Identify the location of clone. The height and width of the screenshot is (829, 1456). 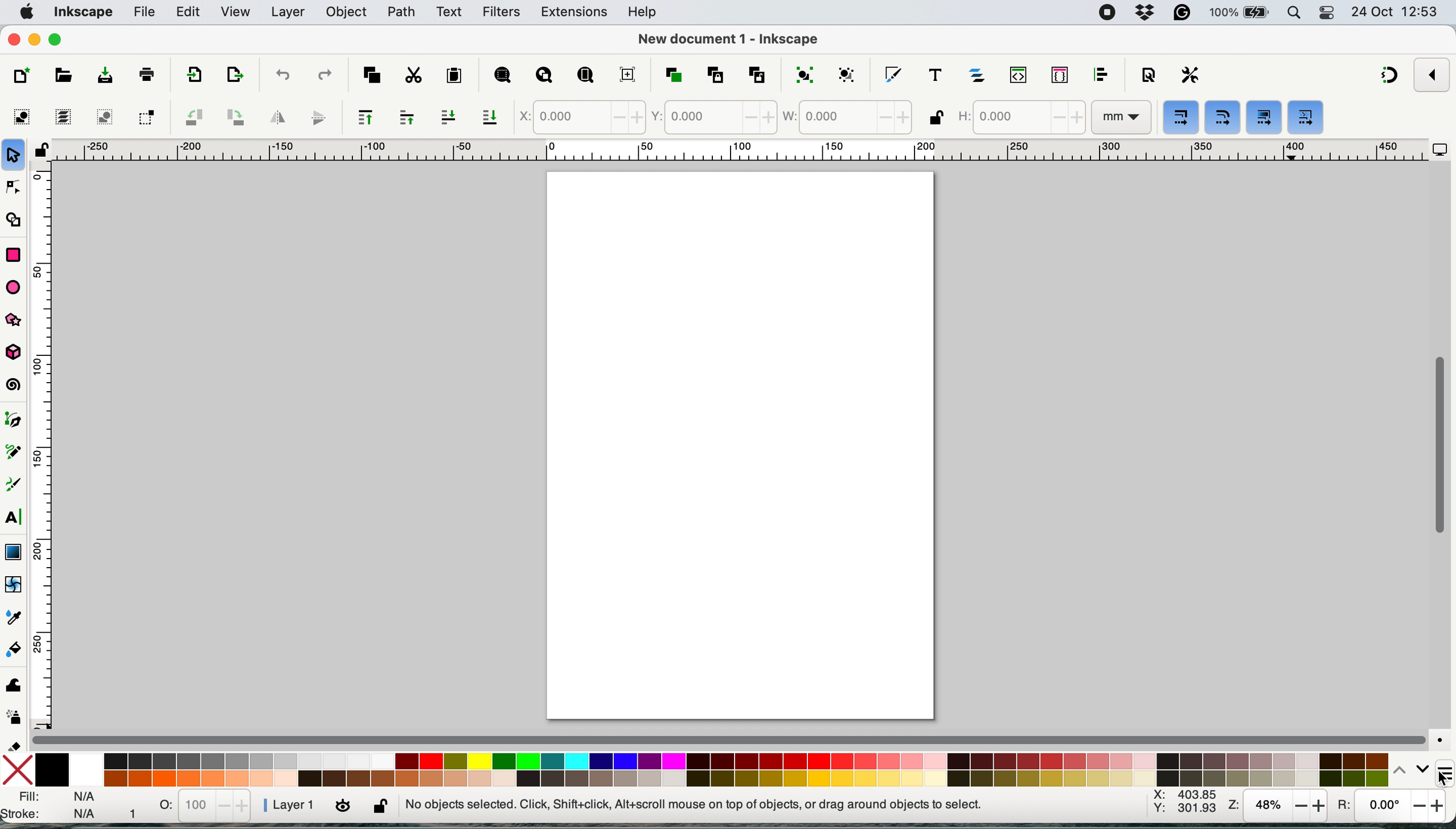
(713, 74).